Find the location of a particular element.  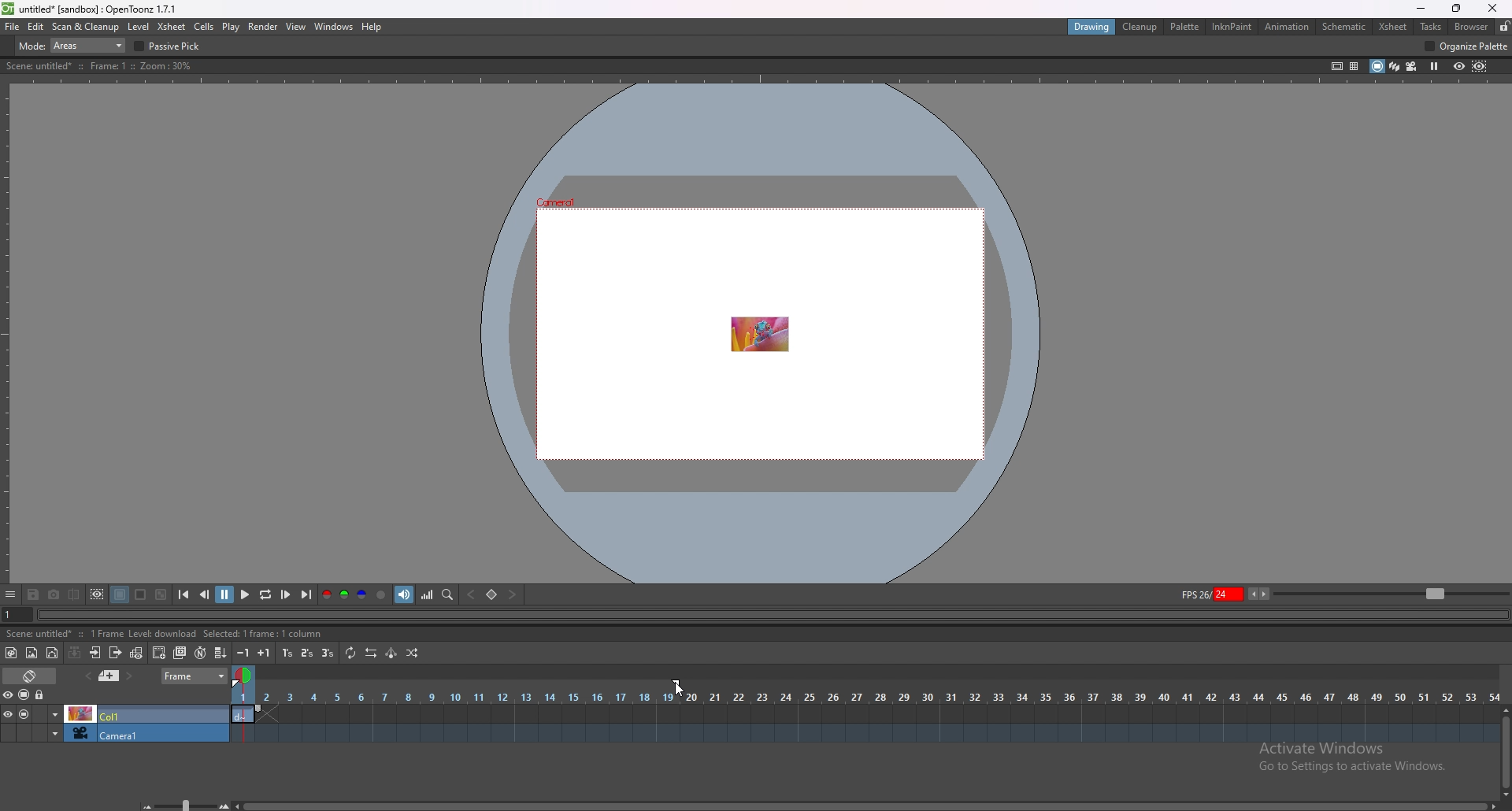

camera stand visibility is located at coordinates (25, 695).